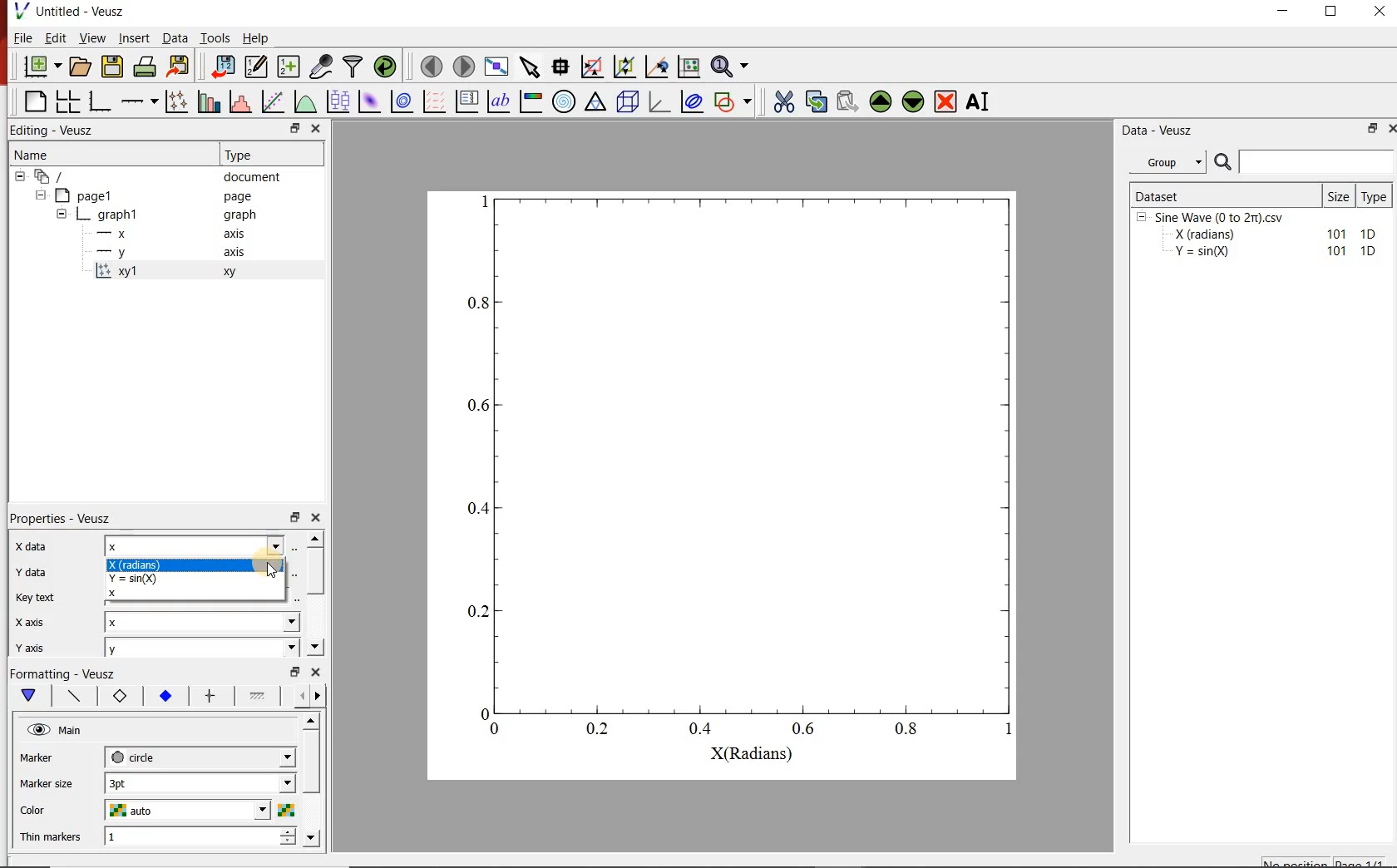  What do you see at coordinates (30, 570) in the screenshot?
I see `Min` at bounding box center [30, 570].